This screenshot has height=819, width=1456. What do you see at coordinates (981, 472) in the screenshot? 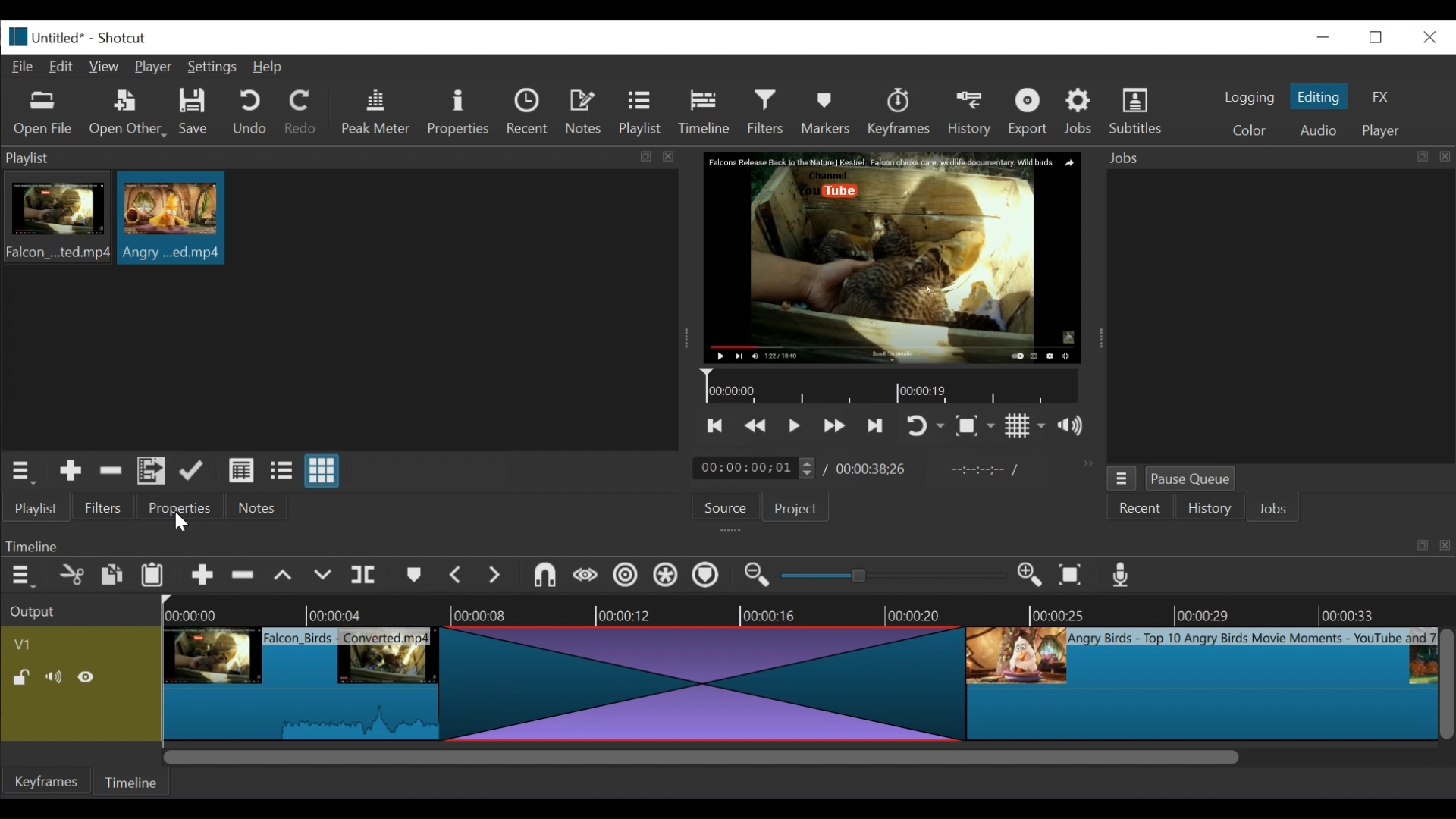
I see `in point` at bounding box center [981, 472].